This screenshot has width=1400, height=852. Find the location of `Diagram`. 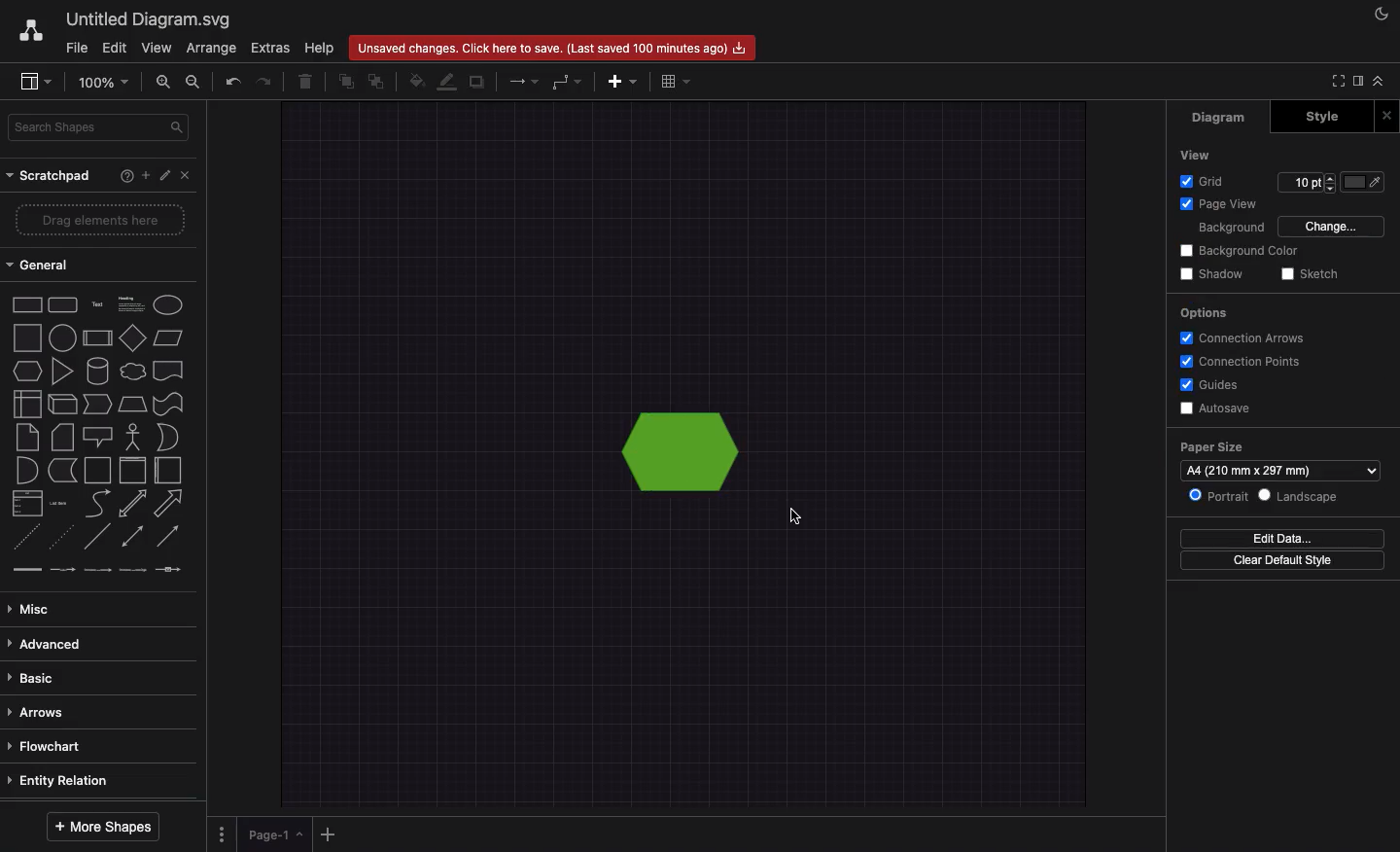

Diagram is located at coordinates (1215, 119).